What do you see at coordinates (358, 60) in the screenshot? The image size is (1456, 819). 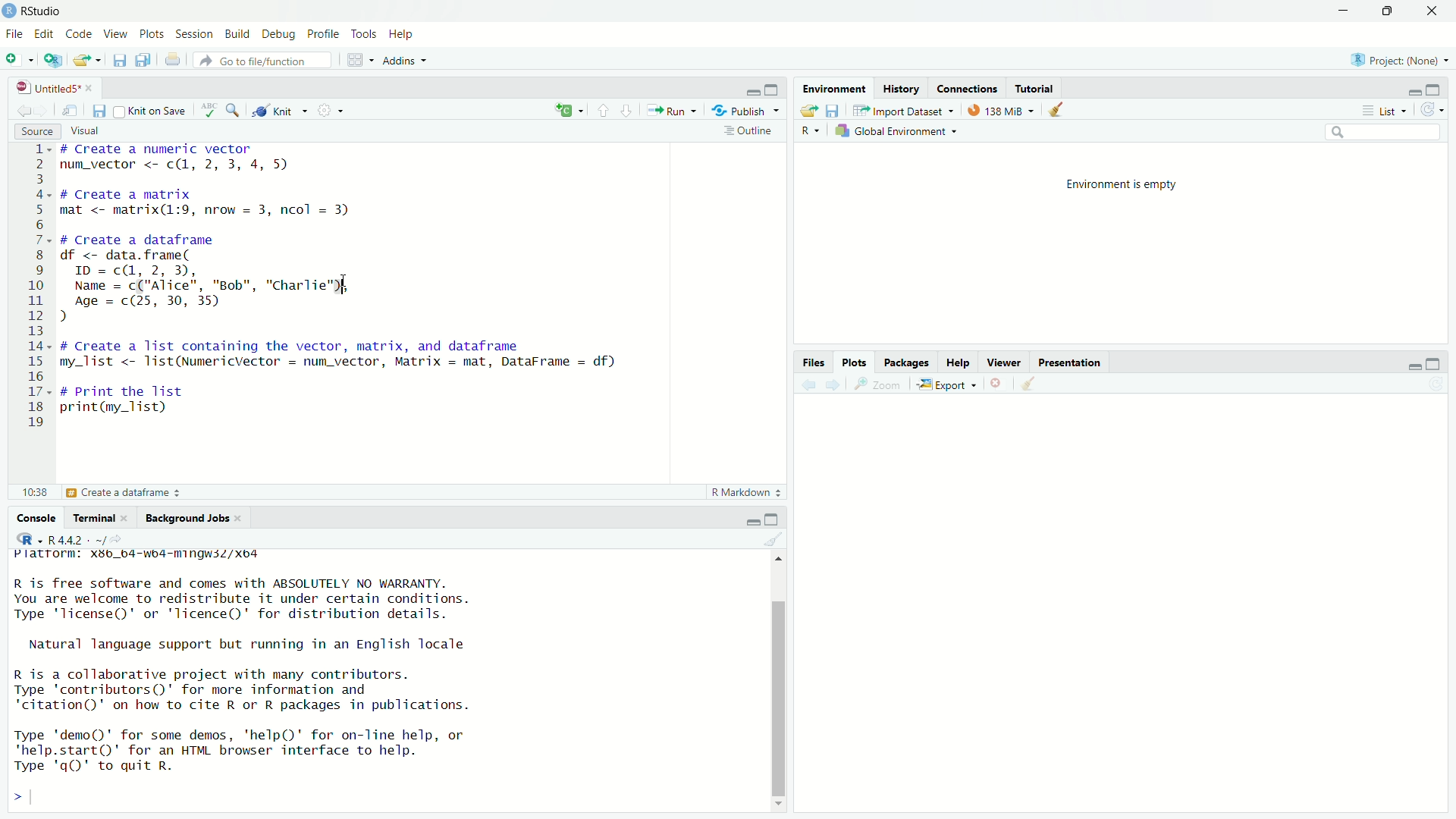 I see `grid` at bounding box center [358, 60].